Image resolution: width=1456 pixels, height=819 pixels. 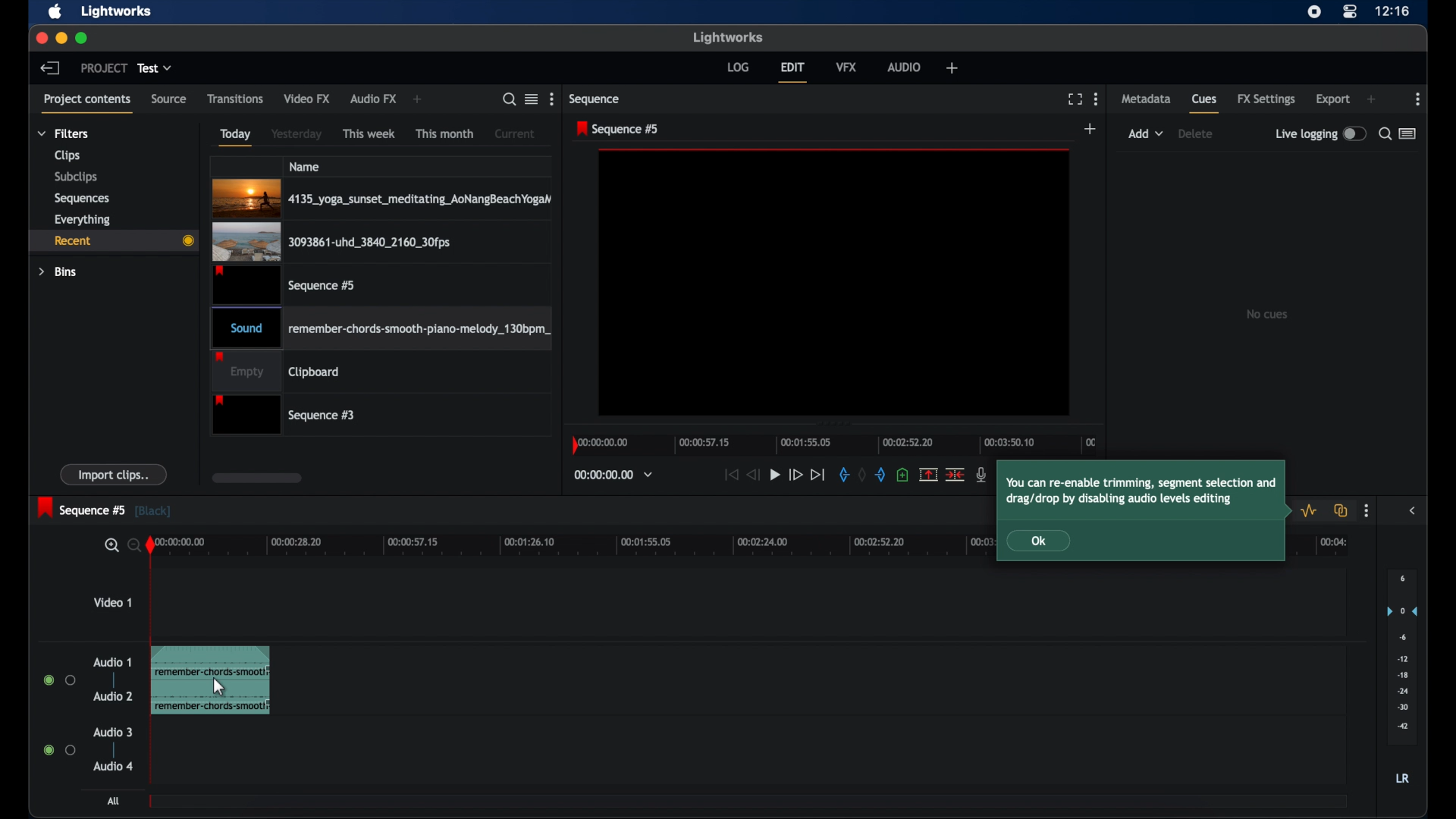 I want to click on playhead, so click(x=150, y=545).